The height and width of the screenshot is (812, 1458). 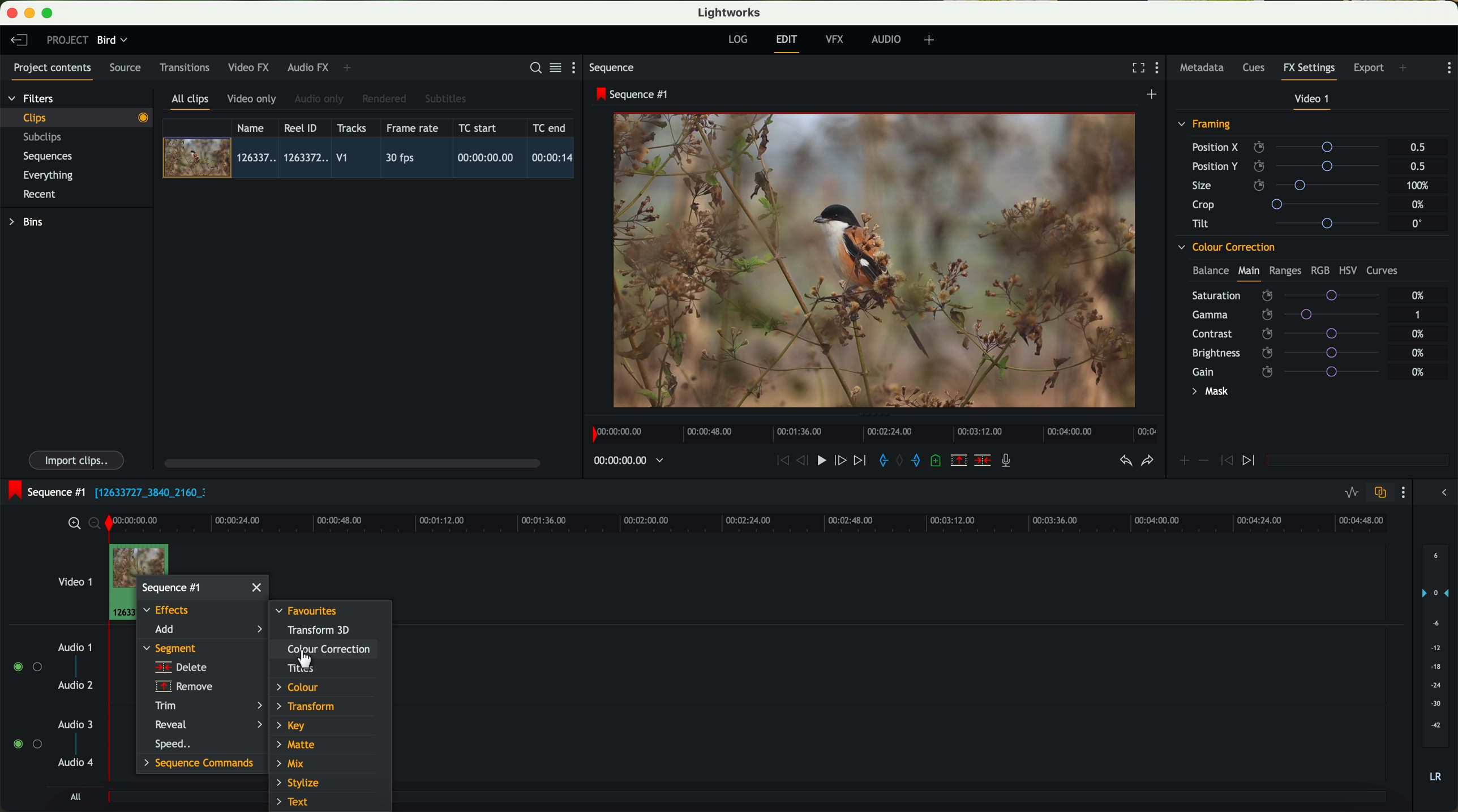 I want to click on maximize program, so click(x=49, y=14).